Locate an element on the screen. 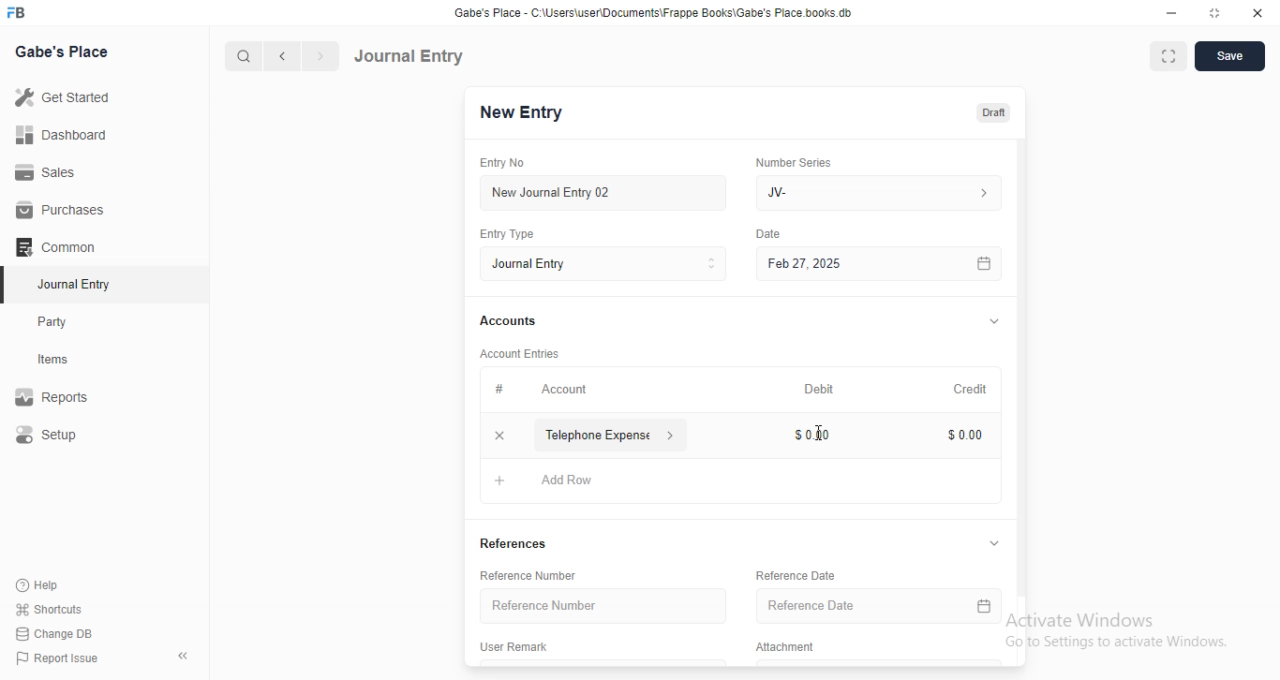 This screenshot has width=1280, height=680. Entry No is located at coordinates (500, 161).